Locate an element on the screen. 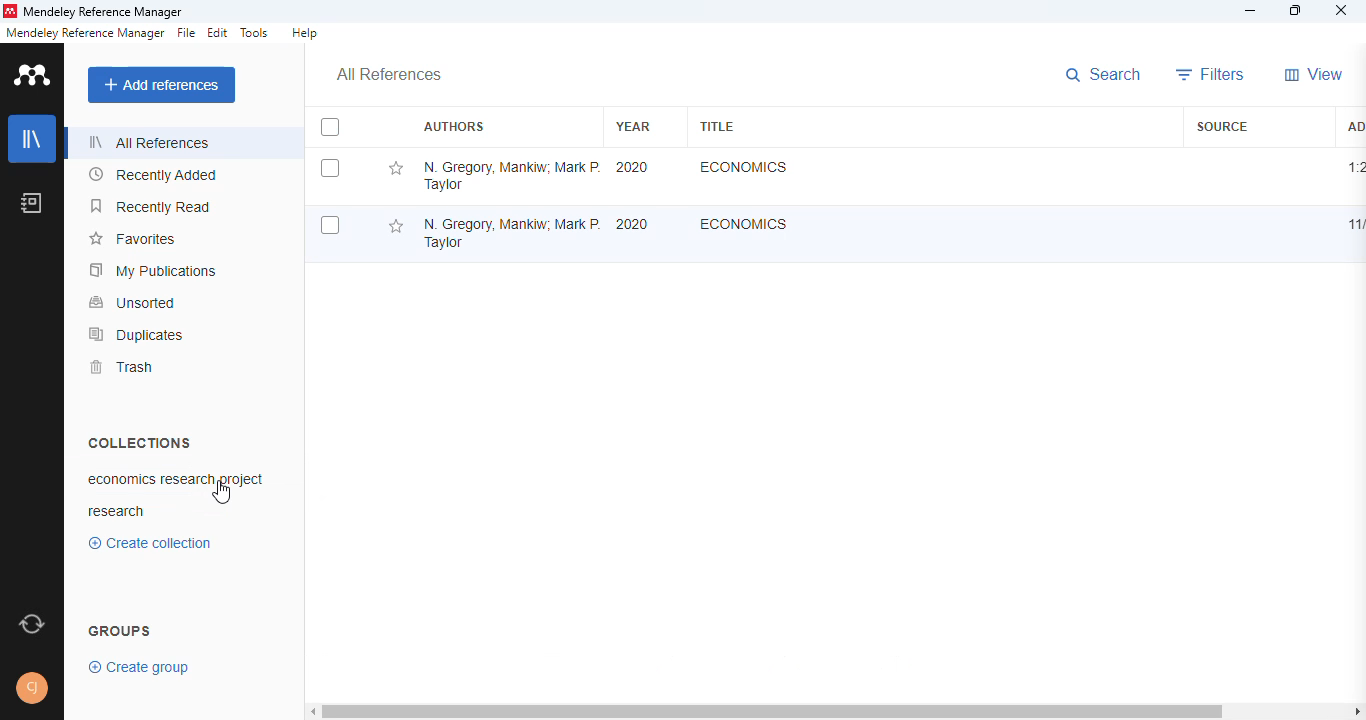 Image resolution: width=1366 pixels, height=720 pixels. economics research project is located at coordinates (174, 479).